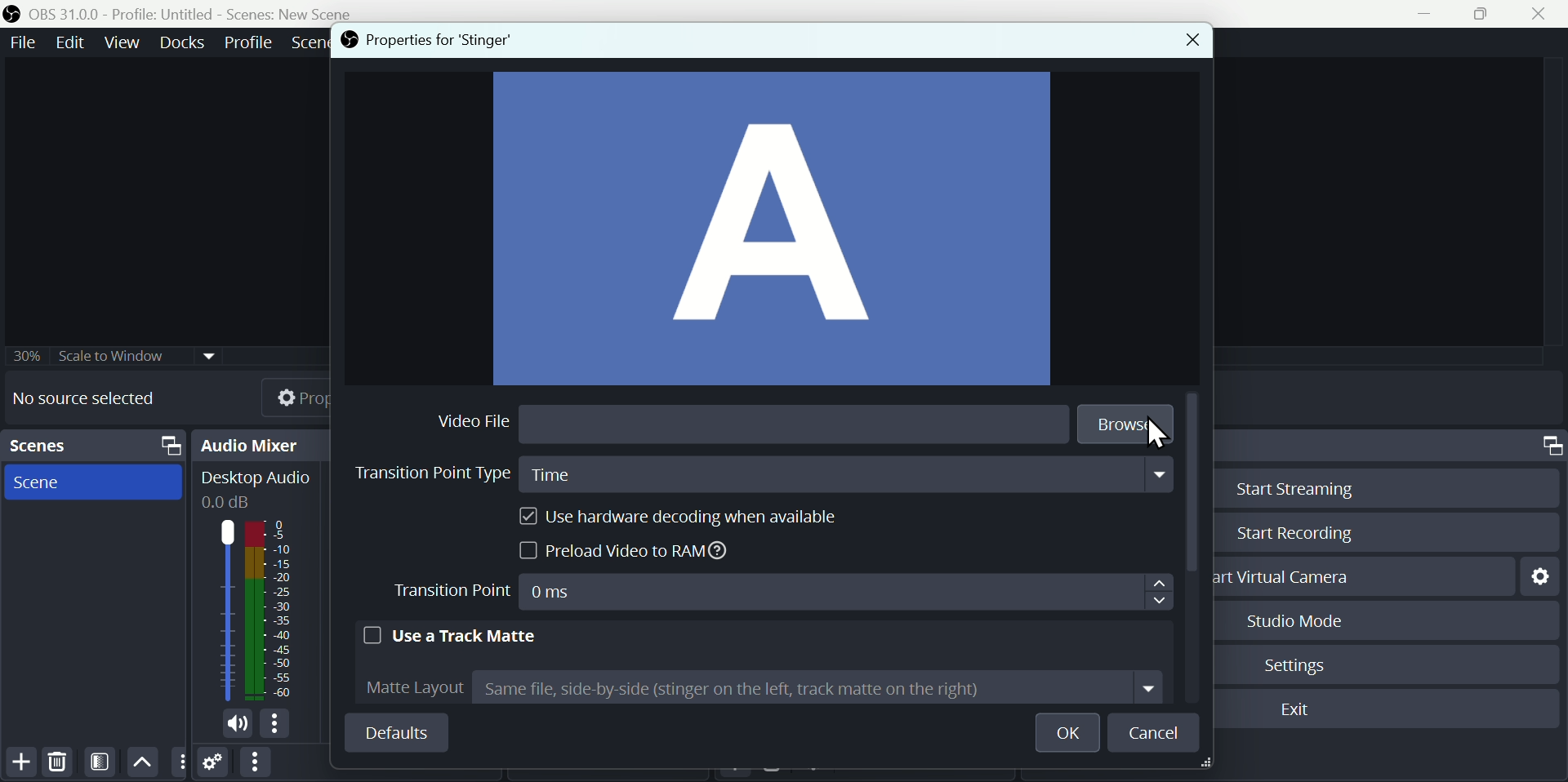 This screenshot has height=782, width=1568. I want to click on No source selected, so click(96, 398).